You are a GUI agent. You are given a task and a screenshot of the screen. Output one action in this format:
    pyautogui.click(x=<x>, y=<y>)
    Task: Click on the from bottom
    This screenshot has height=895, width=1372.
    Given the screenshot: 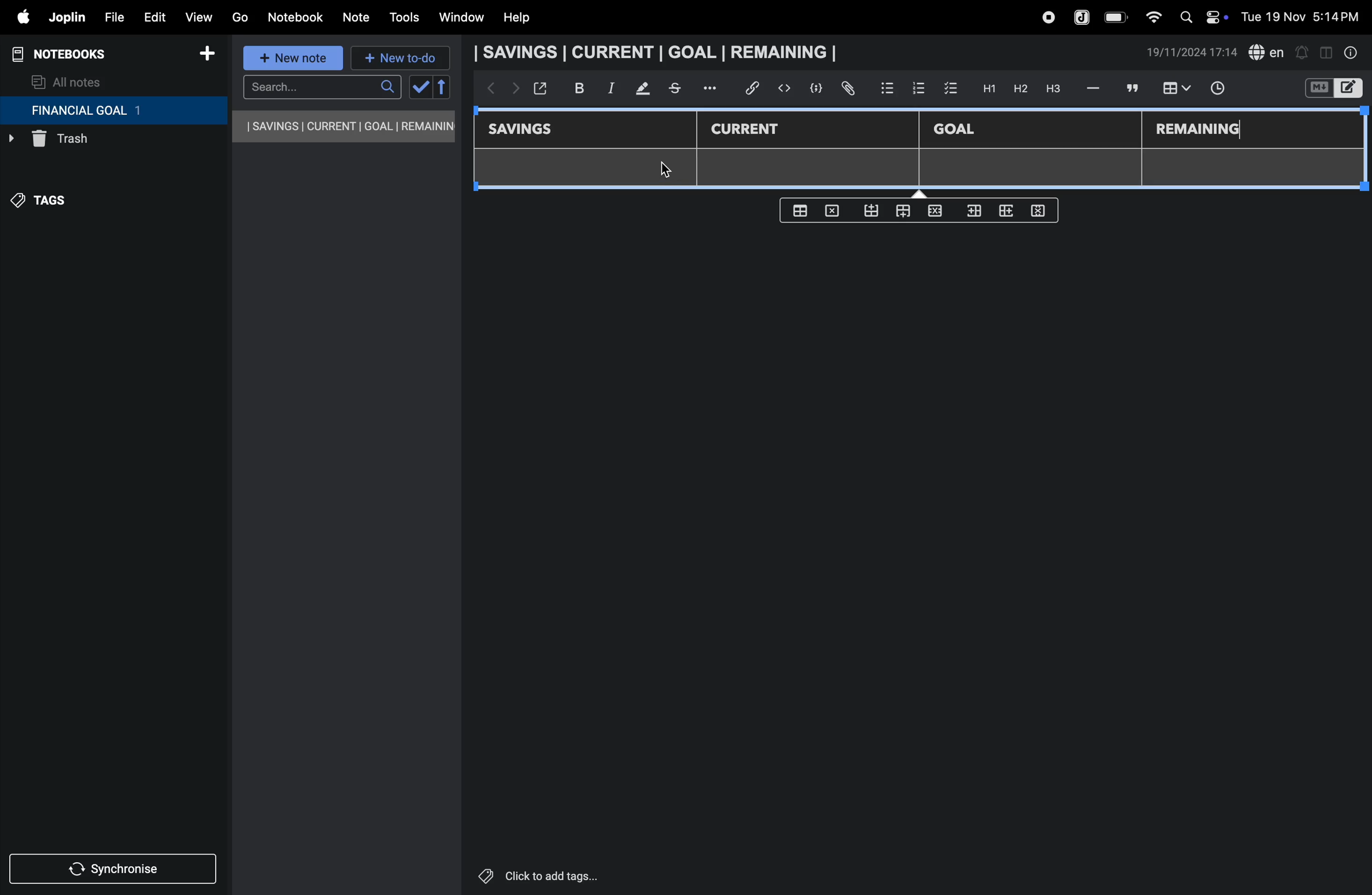 What is the action you would take?
    pyautogui.click(x=872, y=211)
    